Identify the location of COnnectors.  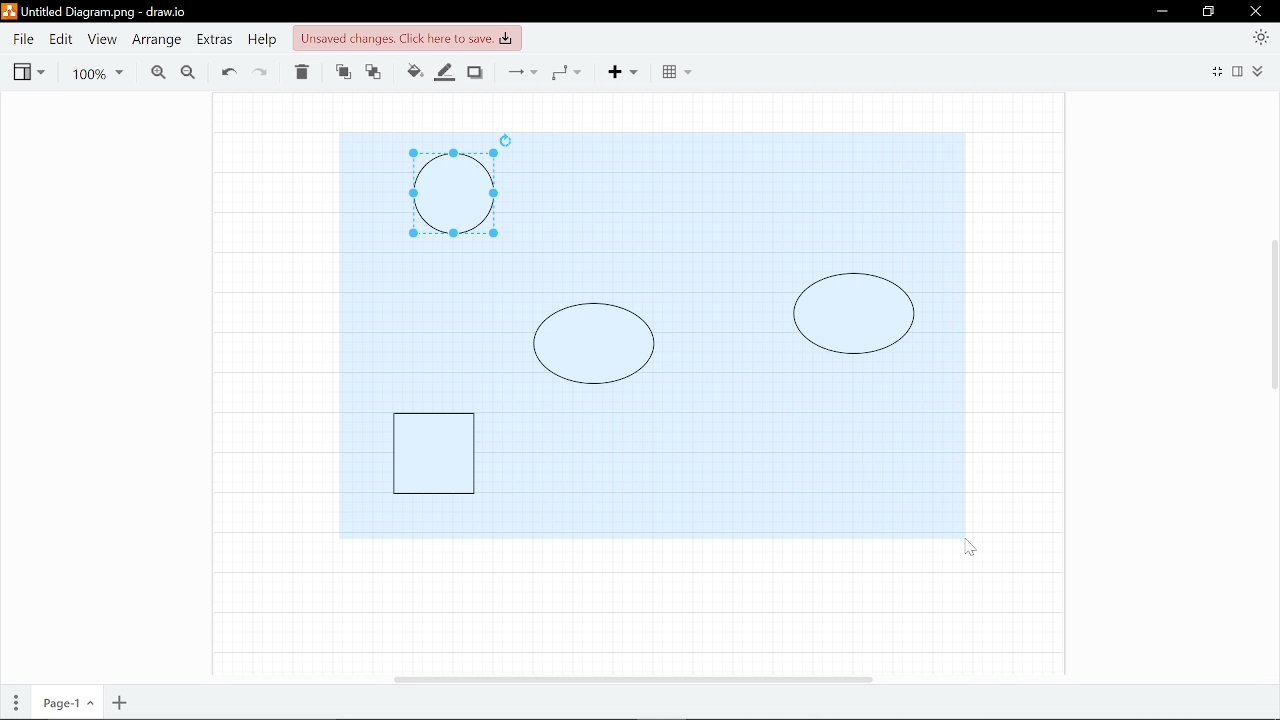
(520, 71).